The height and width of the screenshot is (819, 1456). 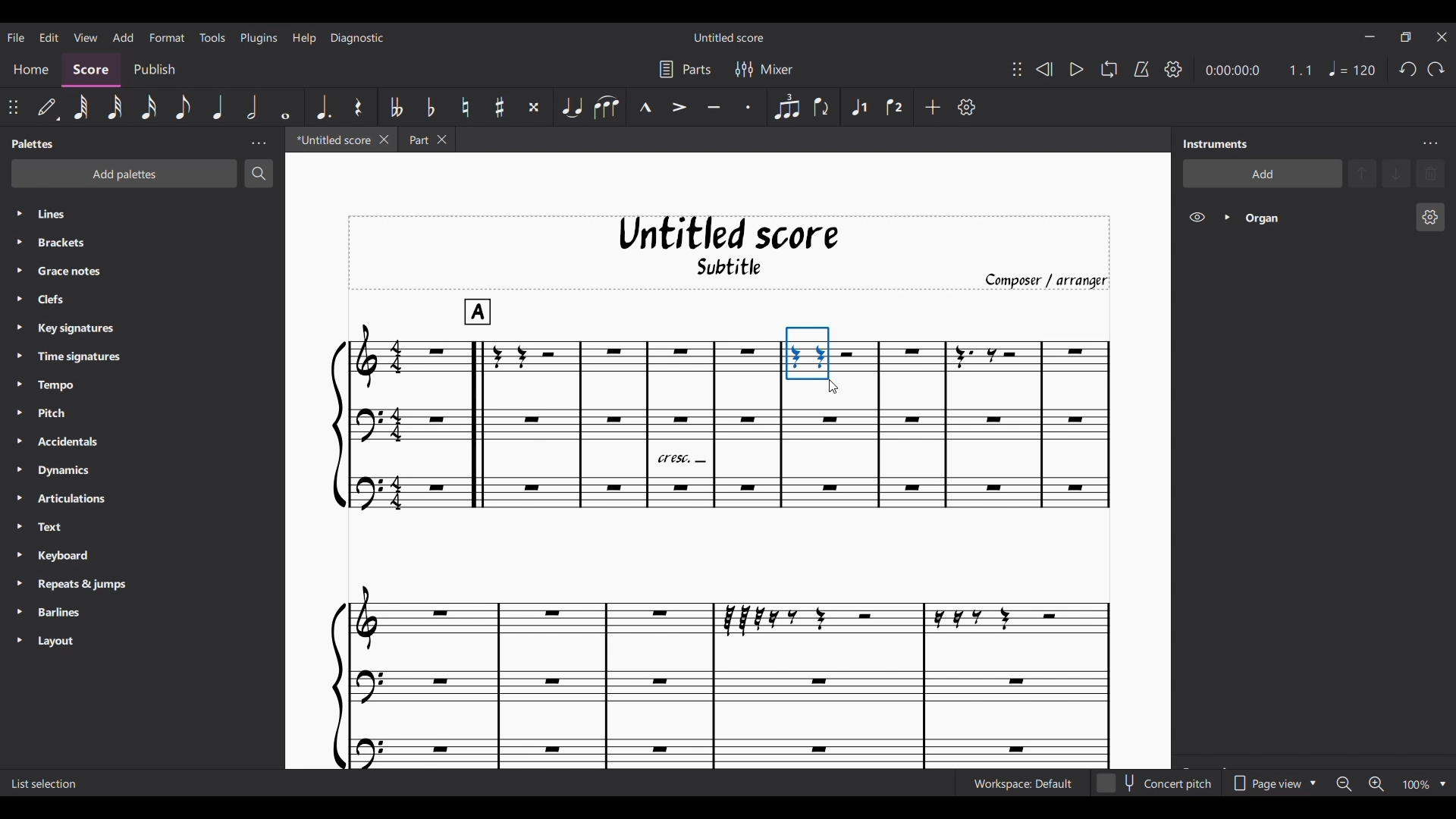 I want to click on Portion selected by cursor, so click(x=808, y=353).